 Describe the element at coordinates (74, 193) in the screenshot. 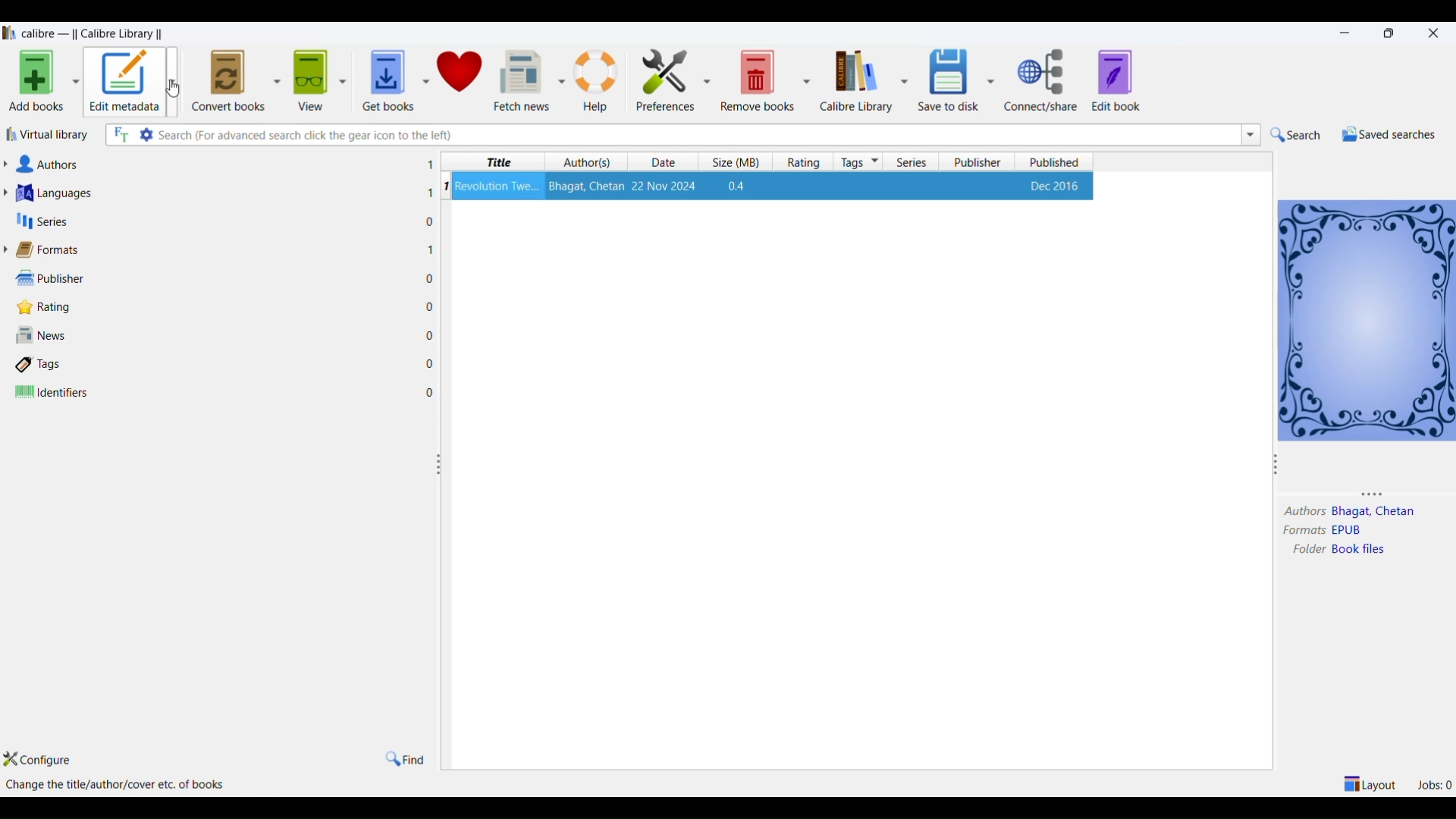

I see `languages and number of languages` at that location.